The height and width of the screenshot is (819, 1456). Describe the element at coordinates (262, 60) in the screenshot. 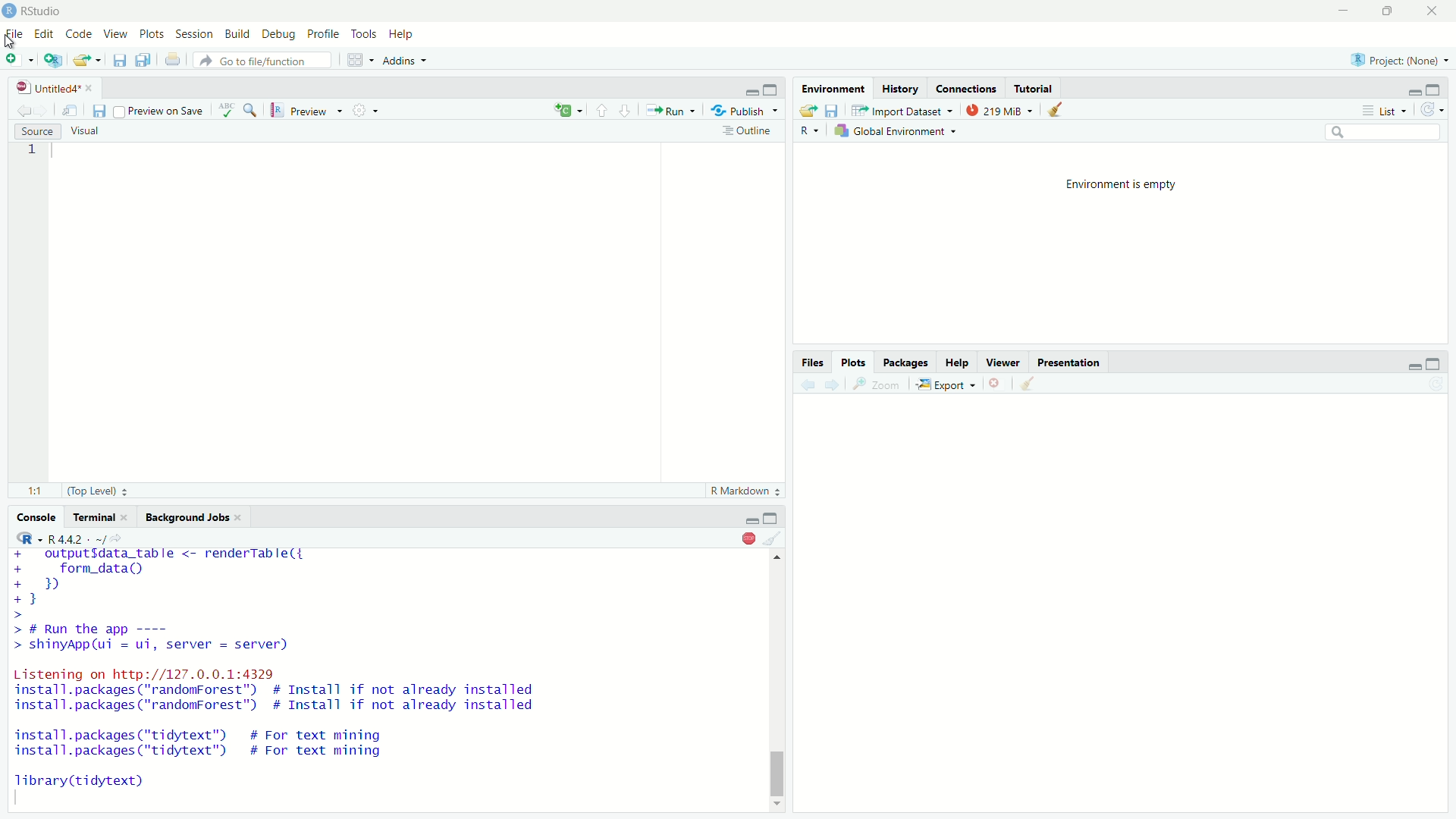

I see `Go to file/function` at that location.